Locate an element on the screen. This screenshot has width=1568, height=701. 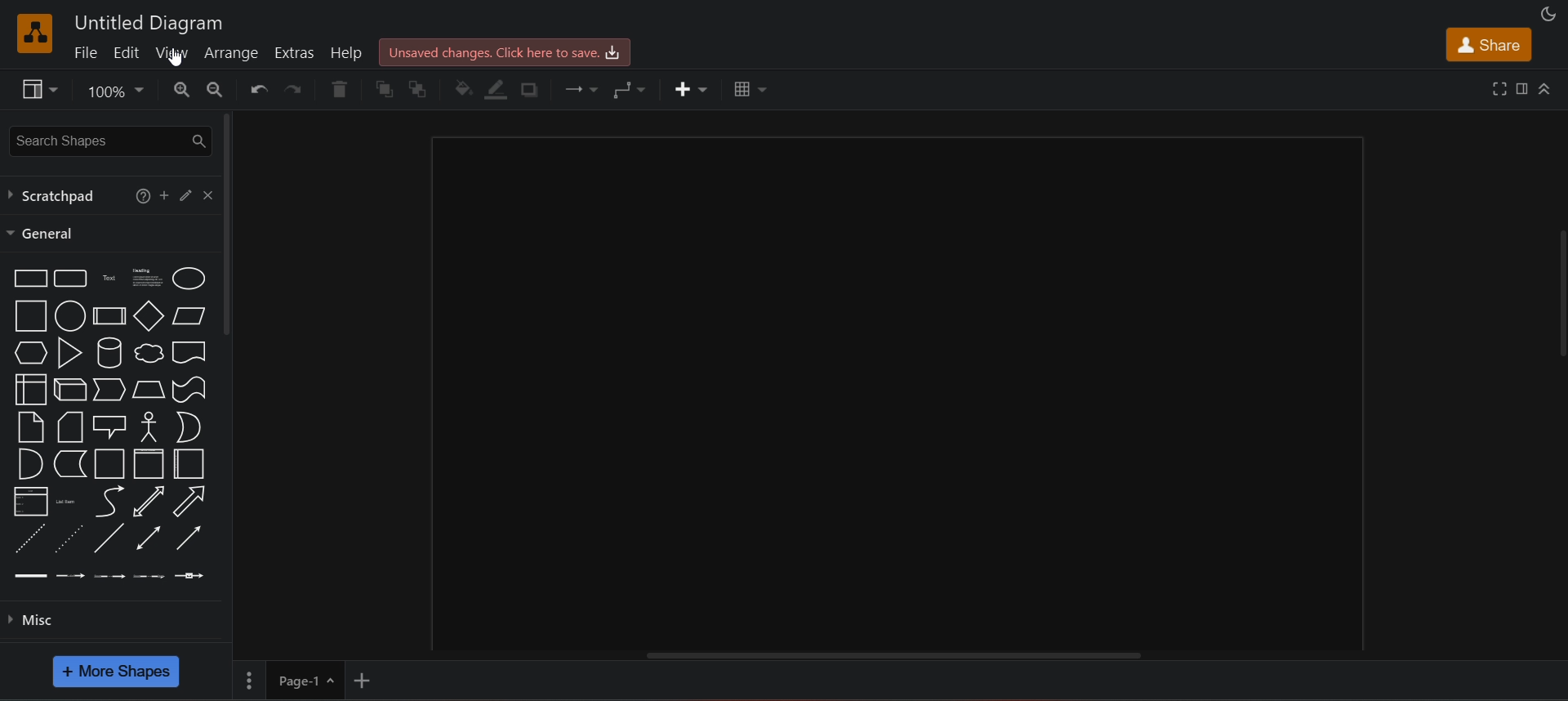
ellipse is located at coordinates (189, 277).